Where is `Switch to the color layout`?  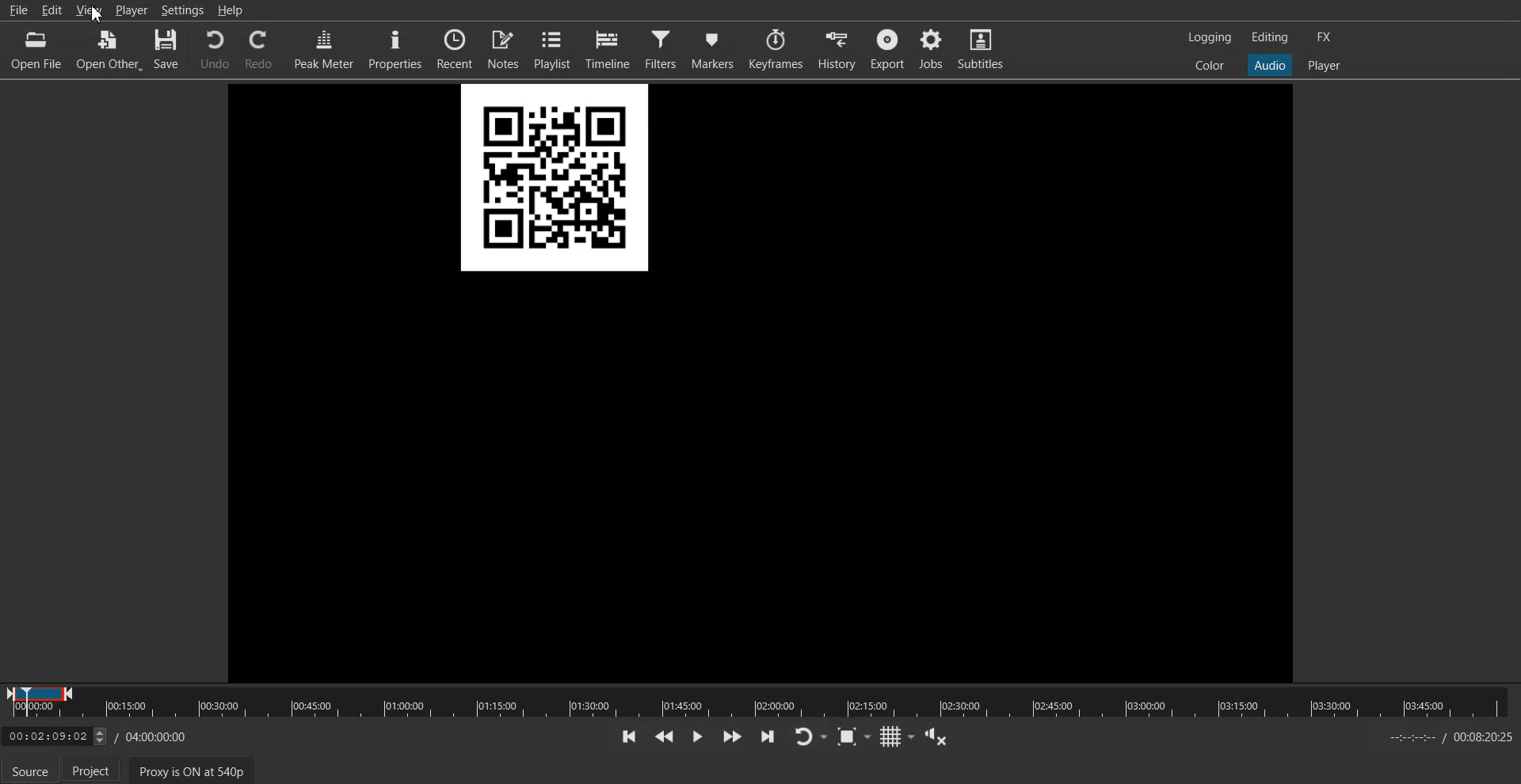
Switch to the color layout is located at coordinates (1210, 66).